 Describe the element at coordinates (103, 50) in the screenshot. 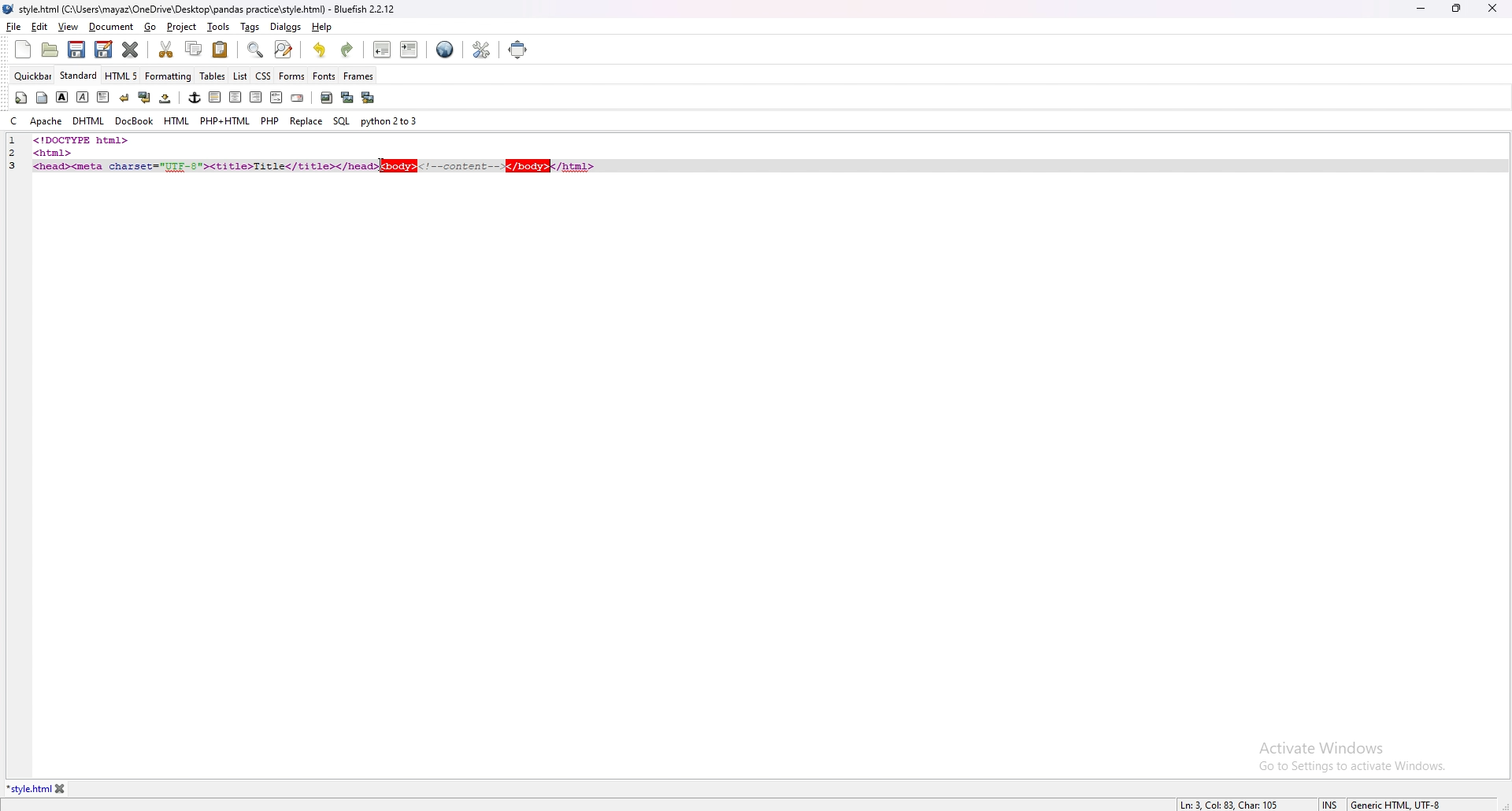

I see `save as` at that location.